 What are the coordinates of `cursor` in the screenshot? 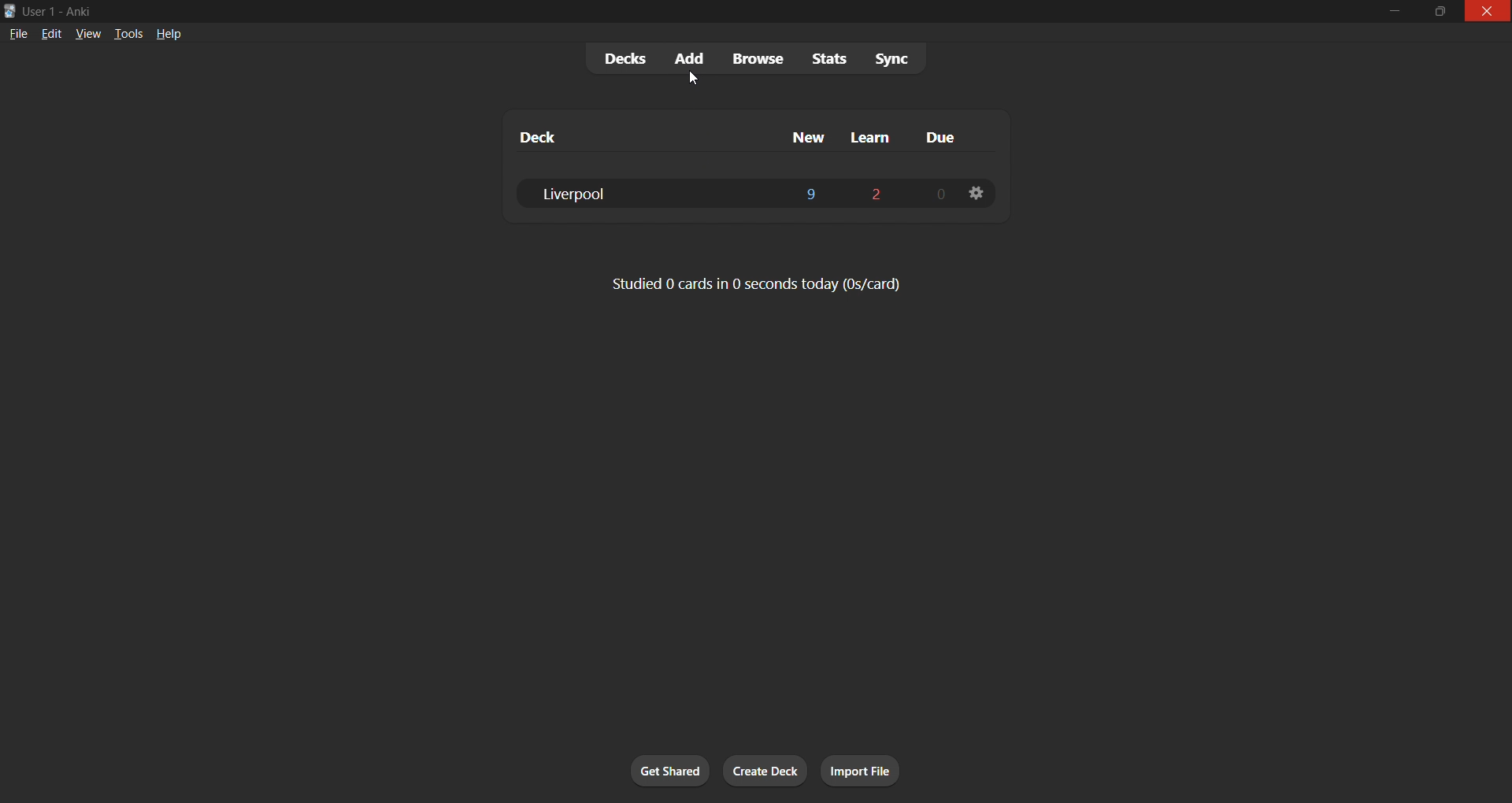 It's located at (696, 77).